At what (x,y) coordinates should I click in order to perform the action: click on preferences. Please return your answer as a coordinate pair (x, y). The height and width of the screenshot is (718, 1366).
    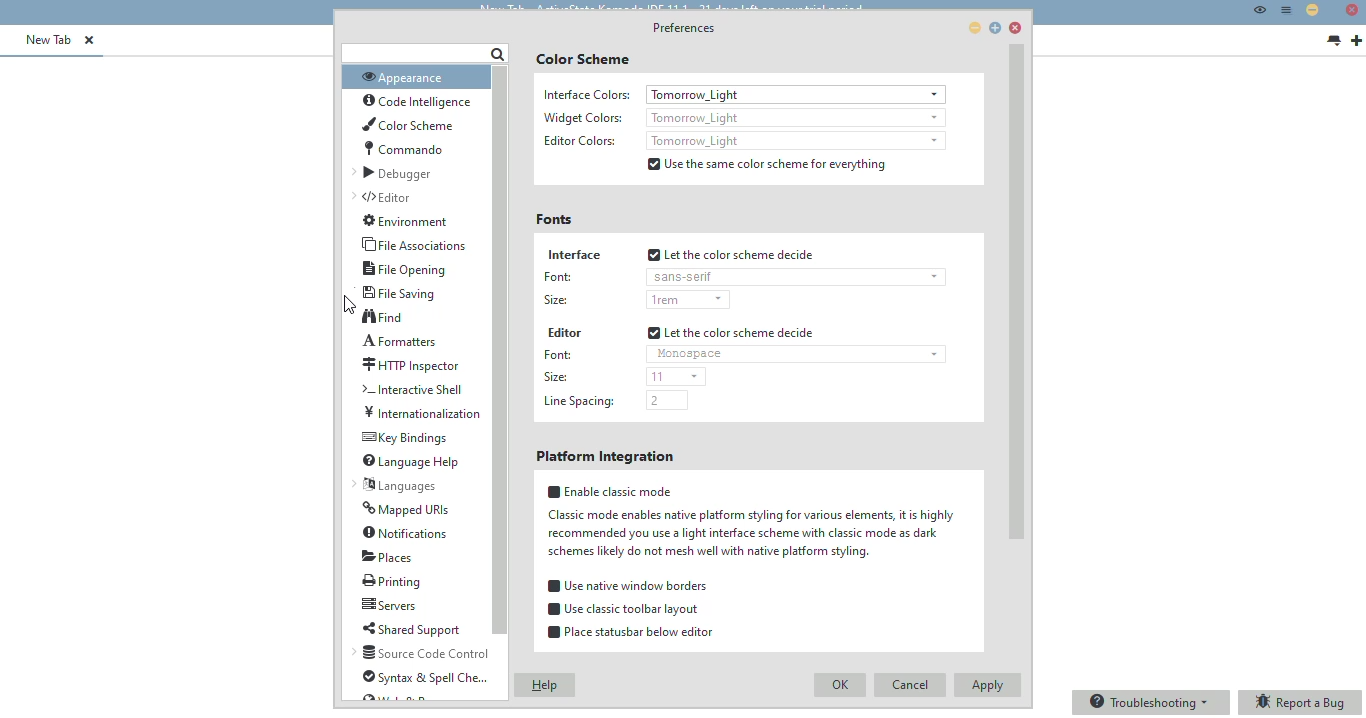
    Looking at the image, I should click on (684, 27).